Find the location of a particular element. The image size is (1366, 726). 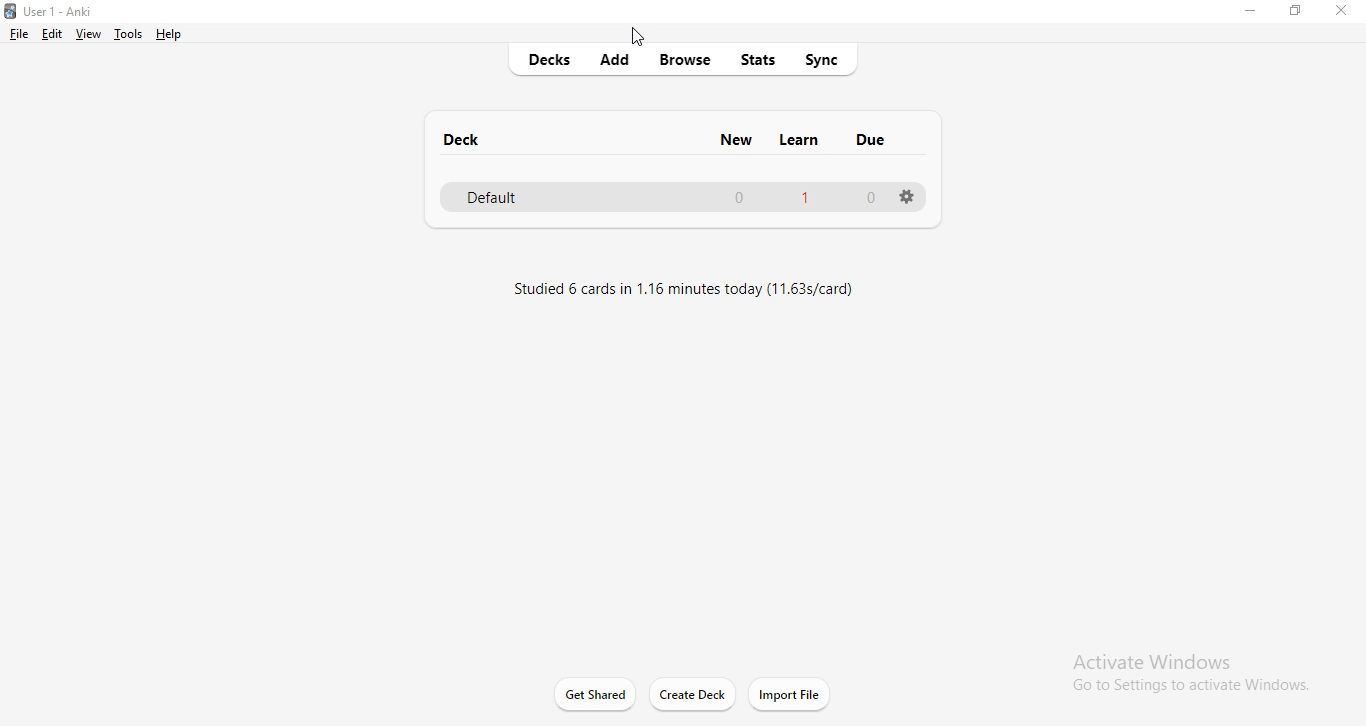

file is located at coordinates (22, 35).